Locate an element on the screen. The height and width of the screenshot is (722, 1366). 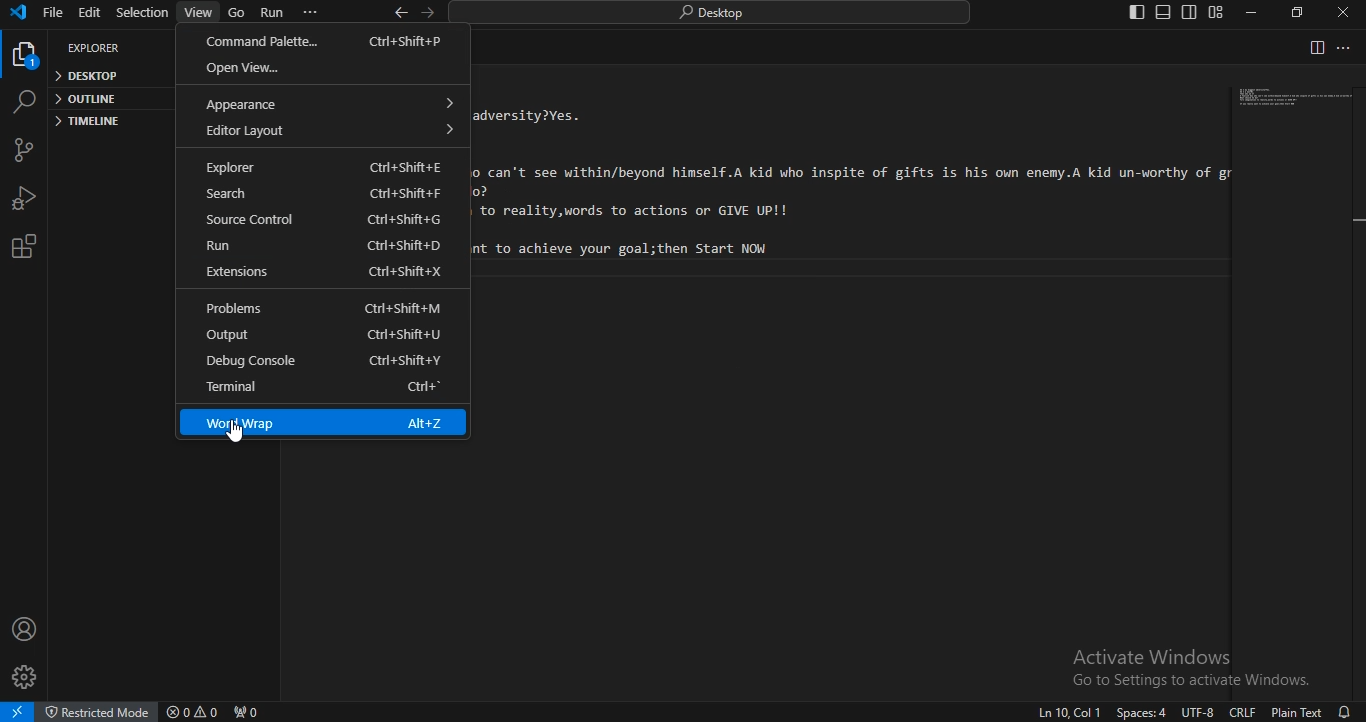
toggle secondary side bar is located at coordinates (1191, 13).